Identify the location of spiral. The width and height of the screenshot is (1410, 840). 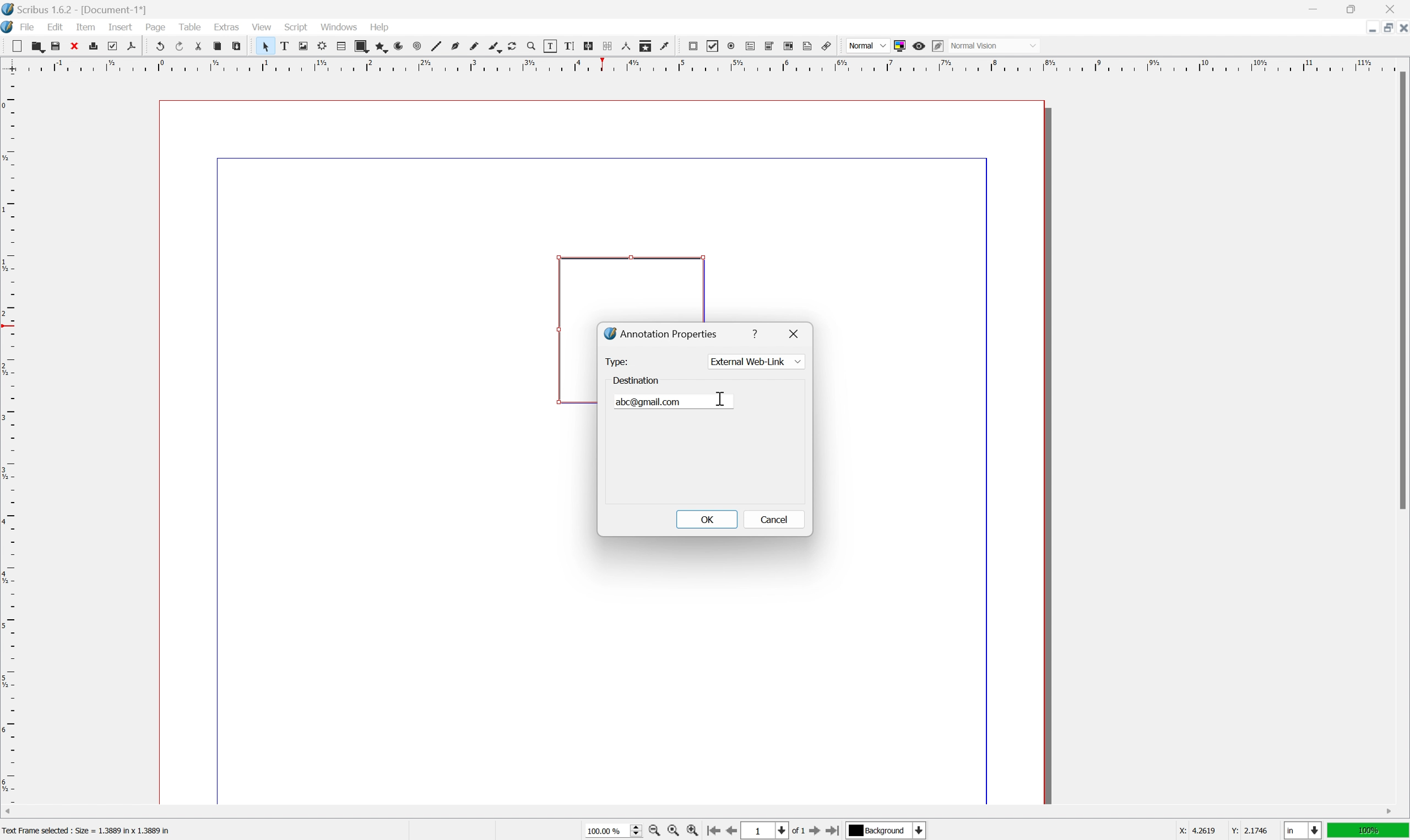
(418, 46).